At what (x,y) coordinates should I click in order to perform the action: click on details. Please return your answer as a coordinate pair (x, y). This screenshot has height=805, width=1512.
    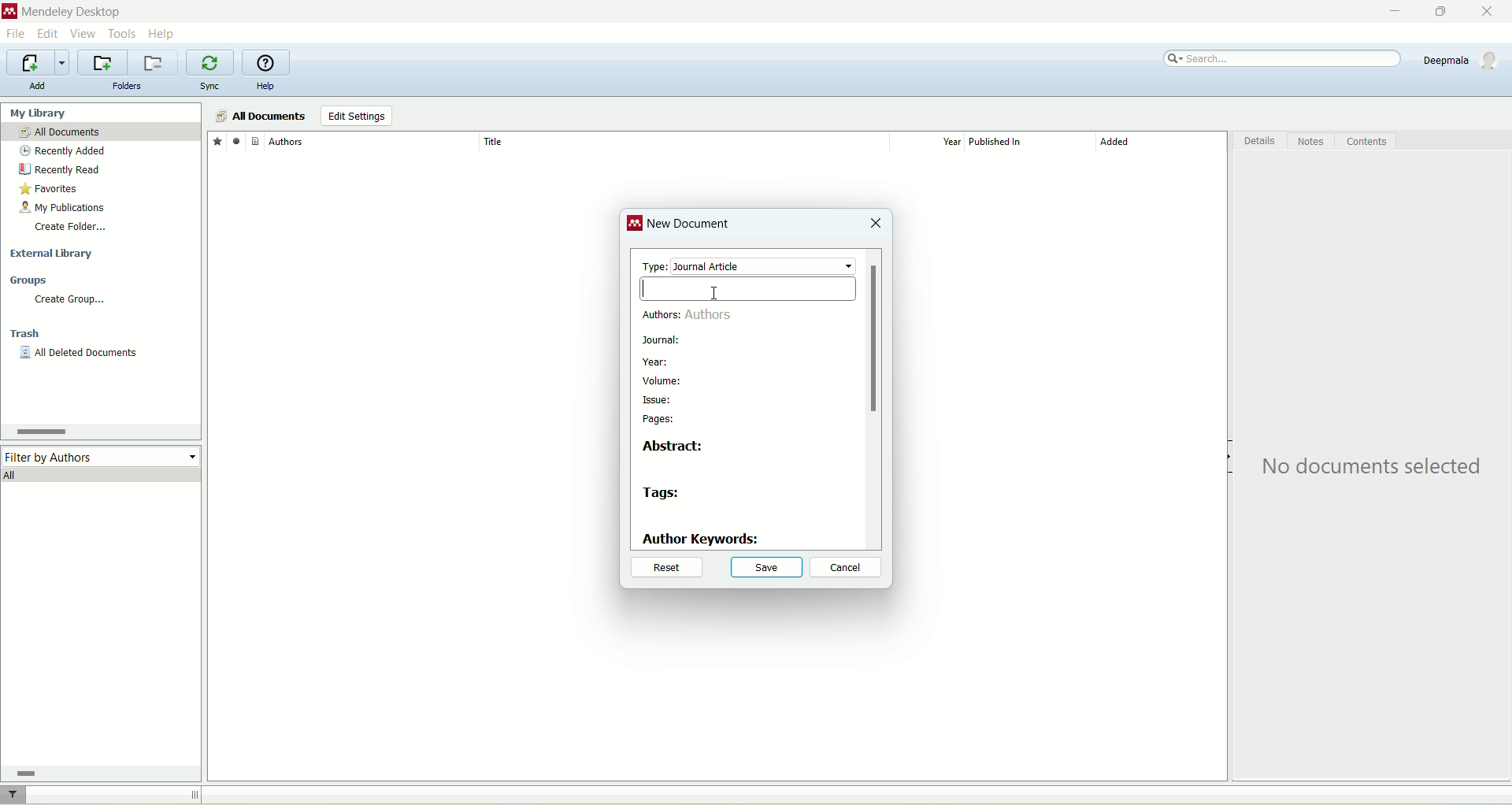
    Looking at the image, I should click on (1261, 143).